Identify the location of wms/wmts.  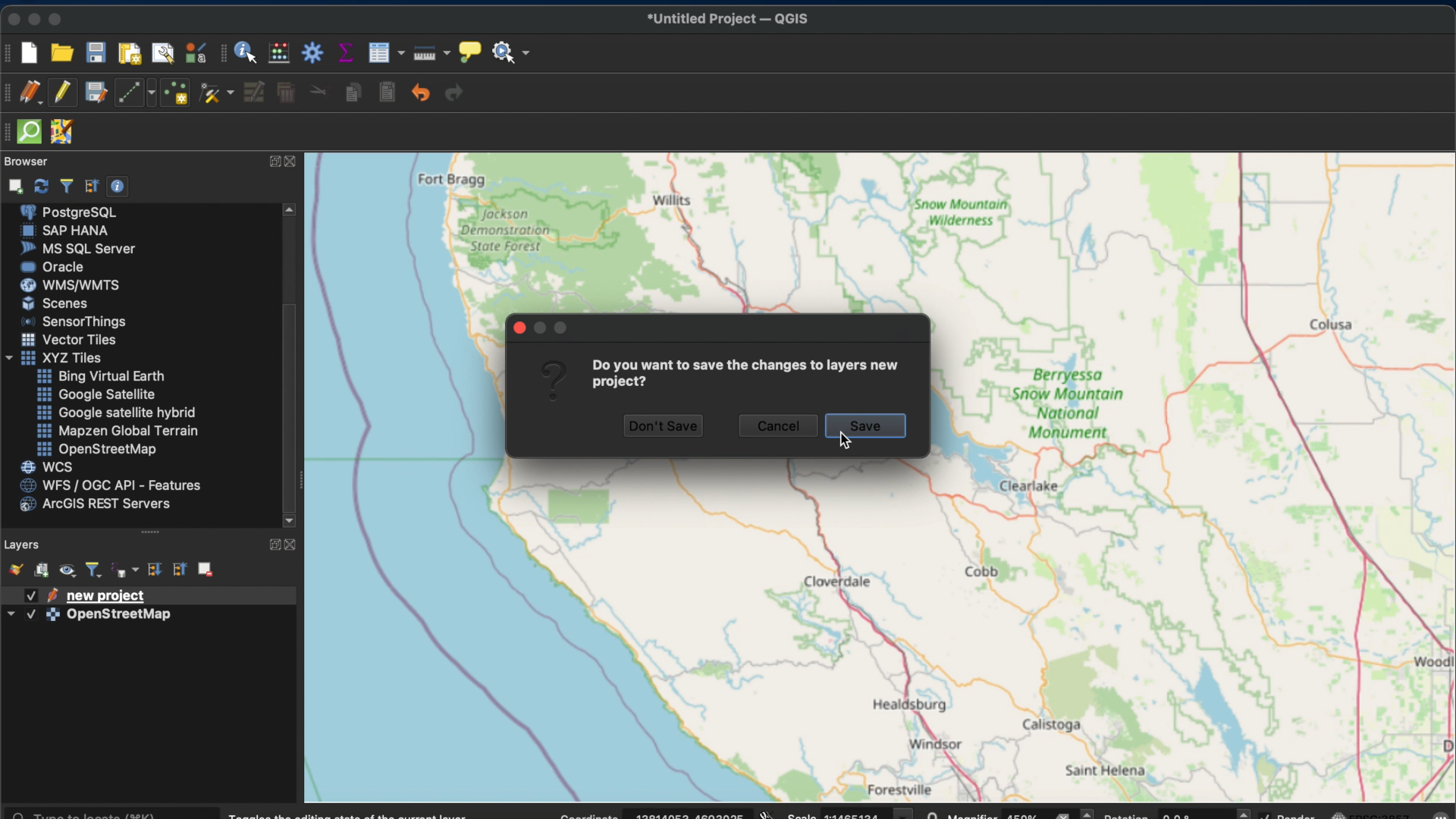
(67, 284).